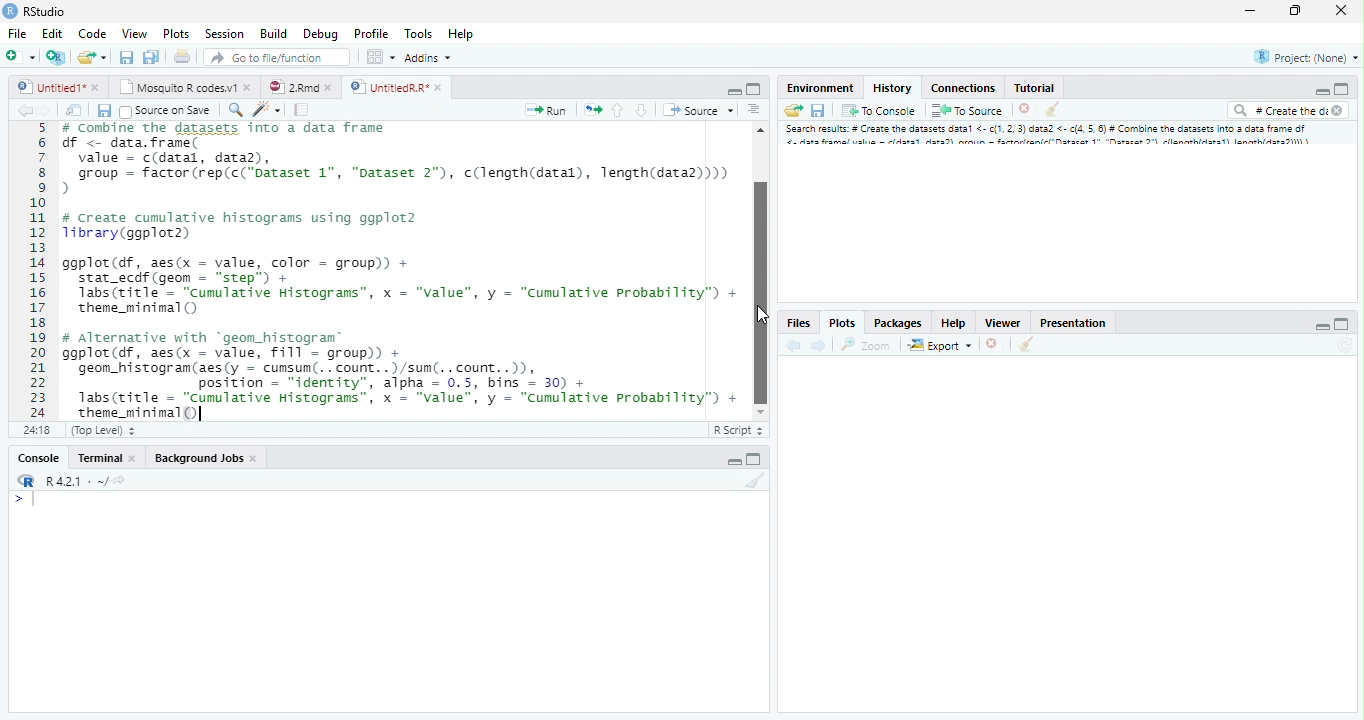  I want to click on Debug, so click(348, 34).